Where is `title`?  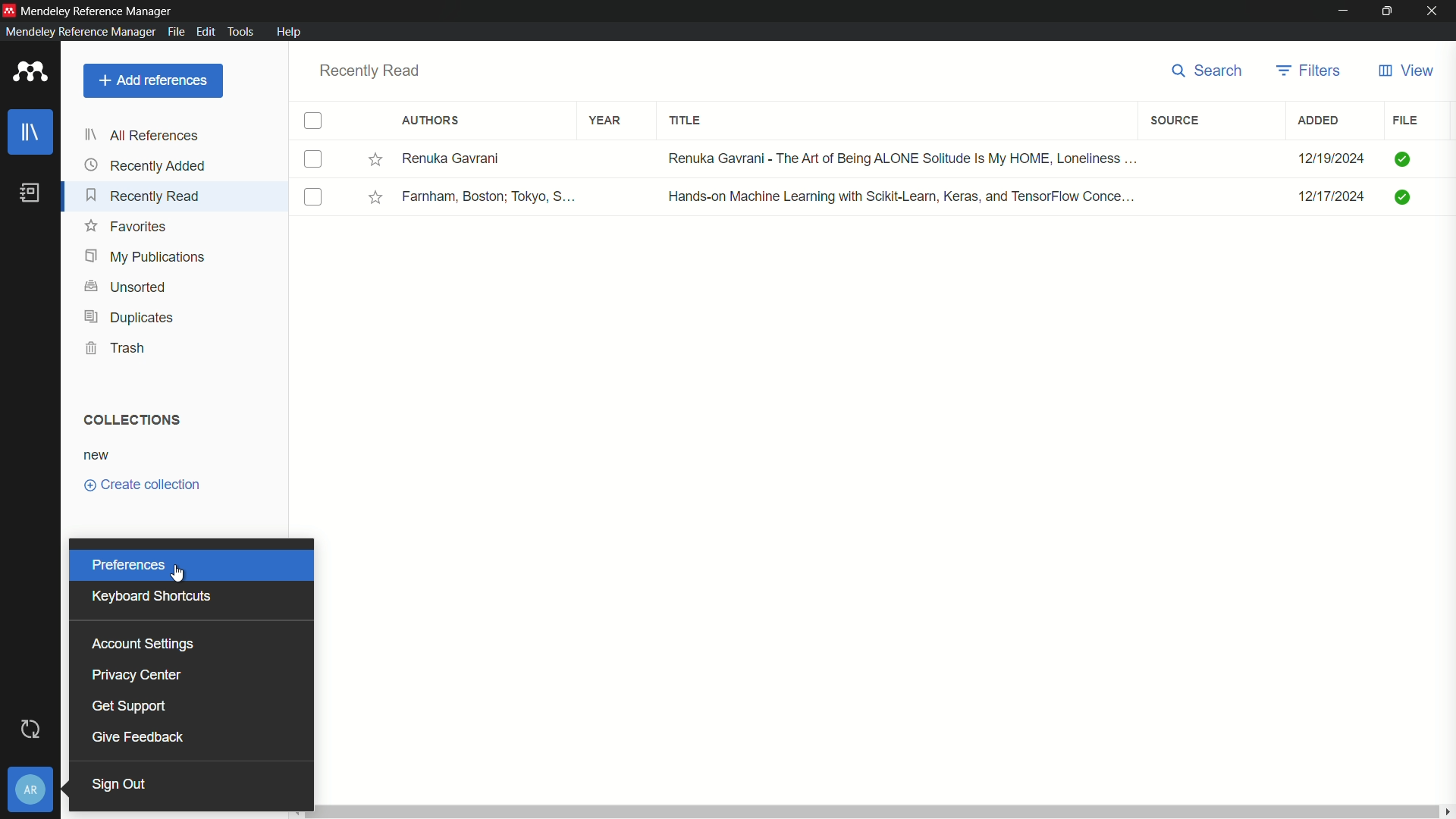 title is located at coordinates (688, 120).